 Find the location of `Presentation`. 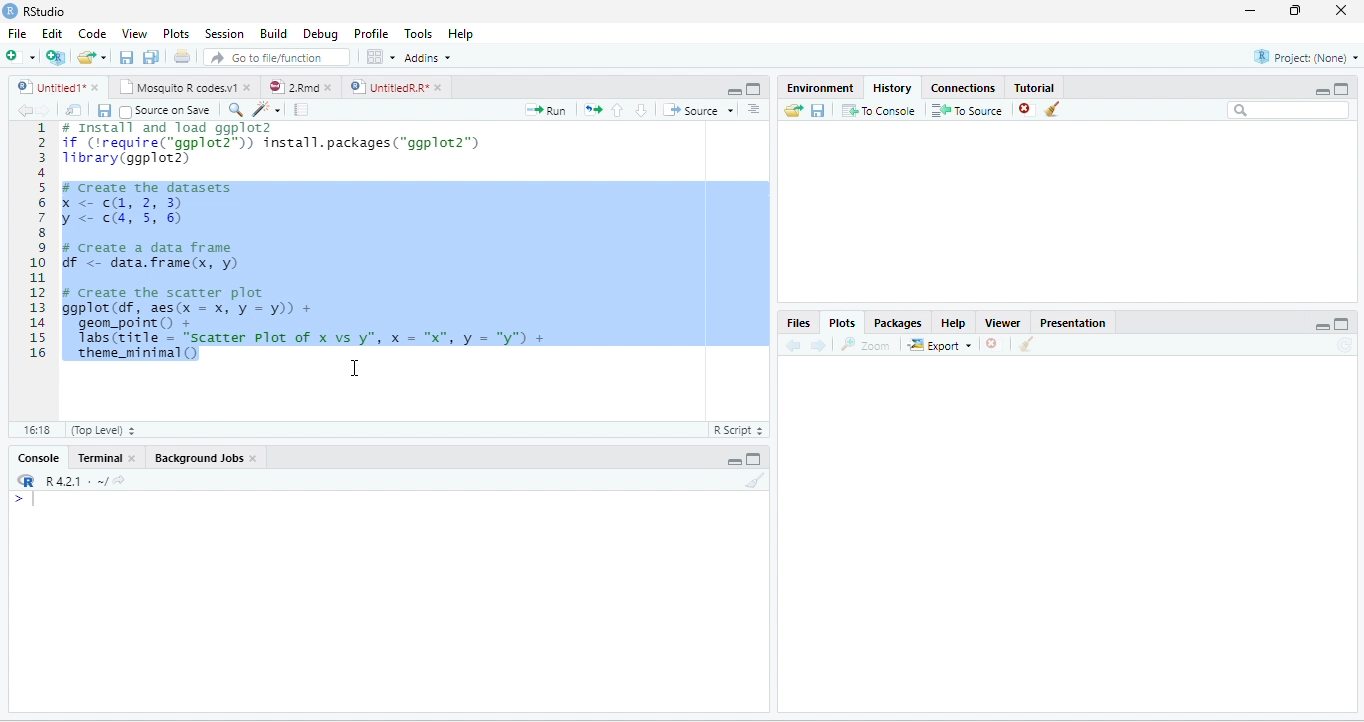

Presentation is located at coordinates (1073, 322).